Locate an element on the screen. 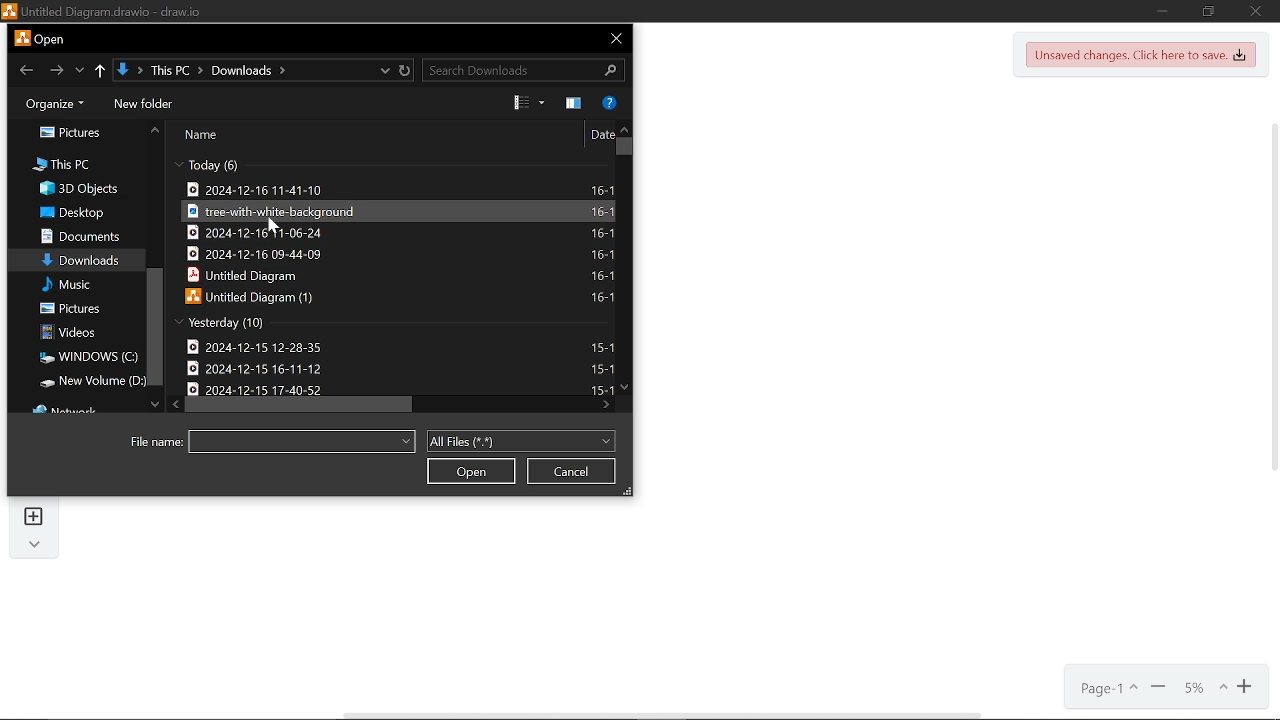 Image resolution: width=1280 pixels, height=720 pixels. Open is located at coordinates (473, 471).